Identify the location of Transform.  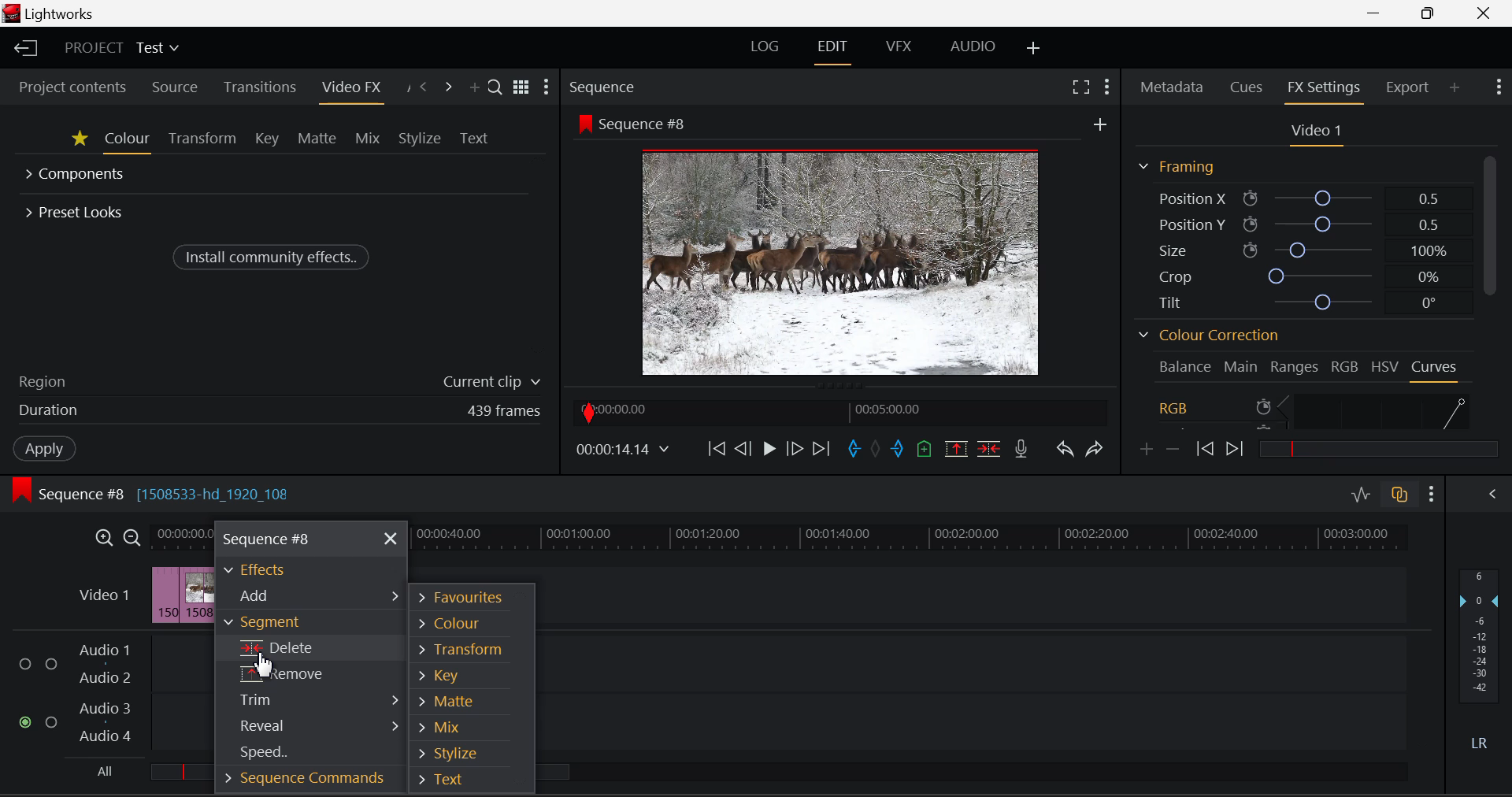
(462, 648).